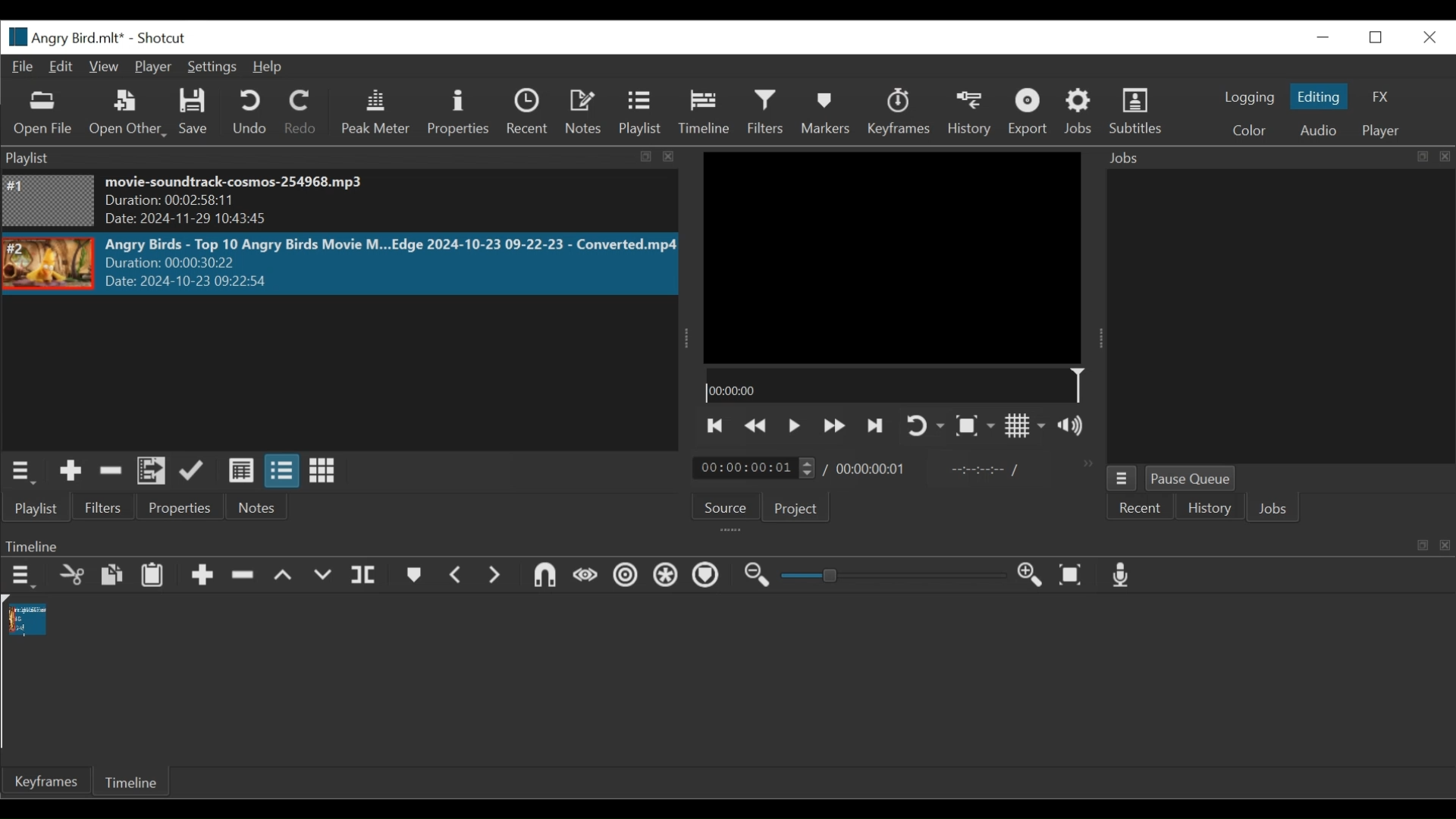 Image resolution: width=1456 pixels, height=819 pixels. I want to click on logging, so click(1250, 97).